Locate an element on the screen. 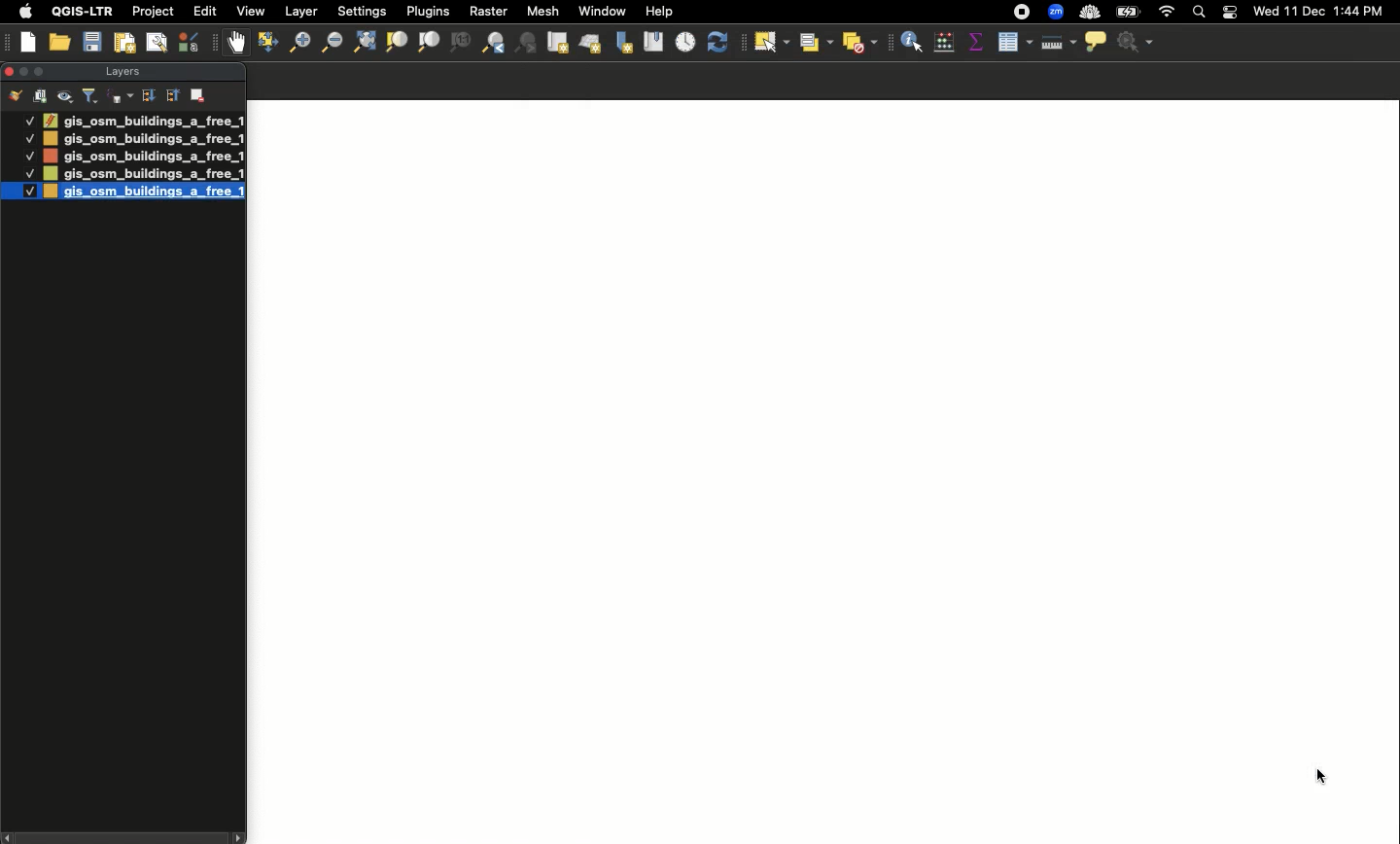  Checked is located at coordinates (28, 137).